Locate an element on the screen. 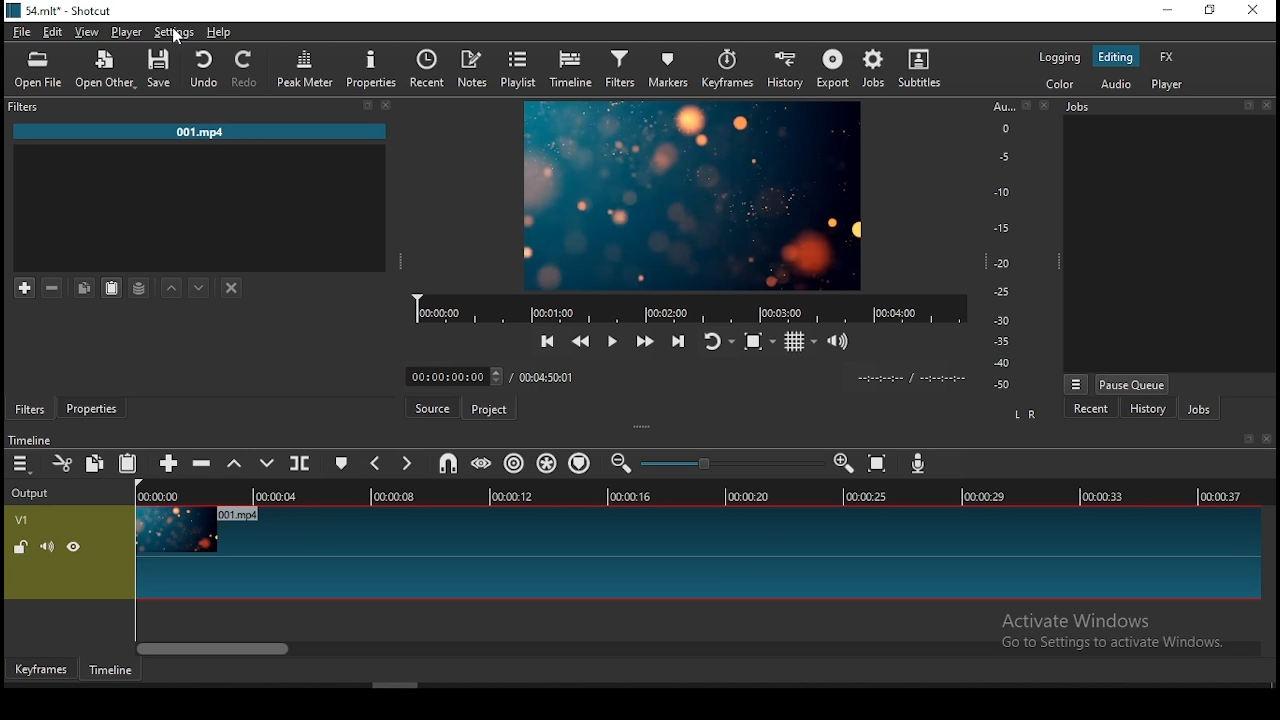  source is located at coordinates (432, 409).